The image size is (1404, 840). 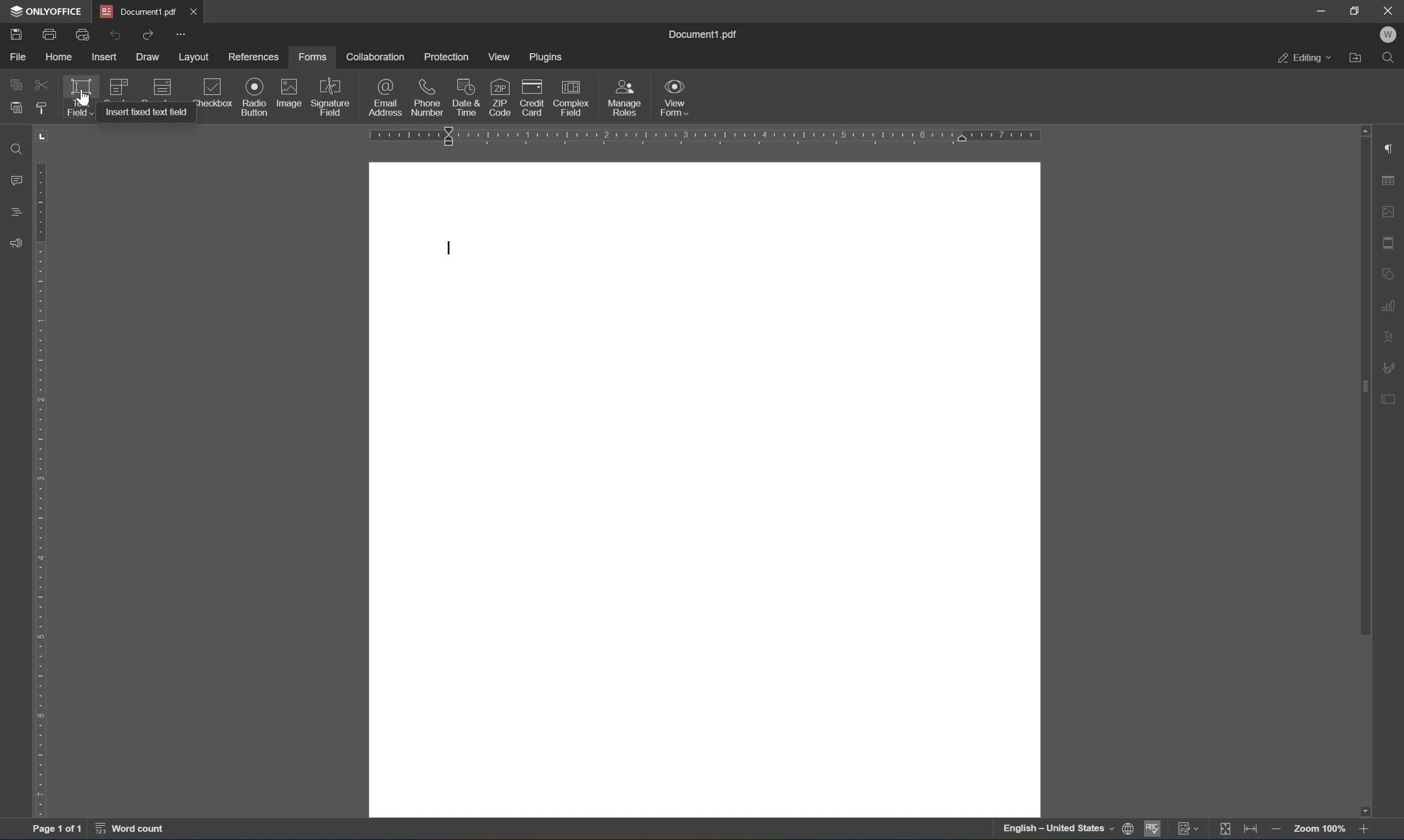 What do you see at coordinates (106, 57) in the screenshot?
I see `insert` at bounding box center [106, 57].